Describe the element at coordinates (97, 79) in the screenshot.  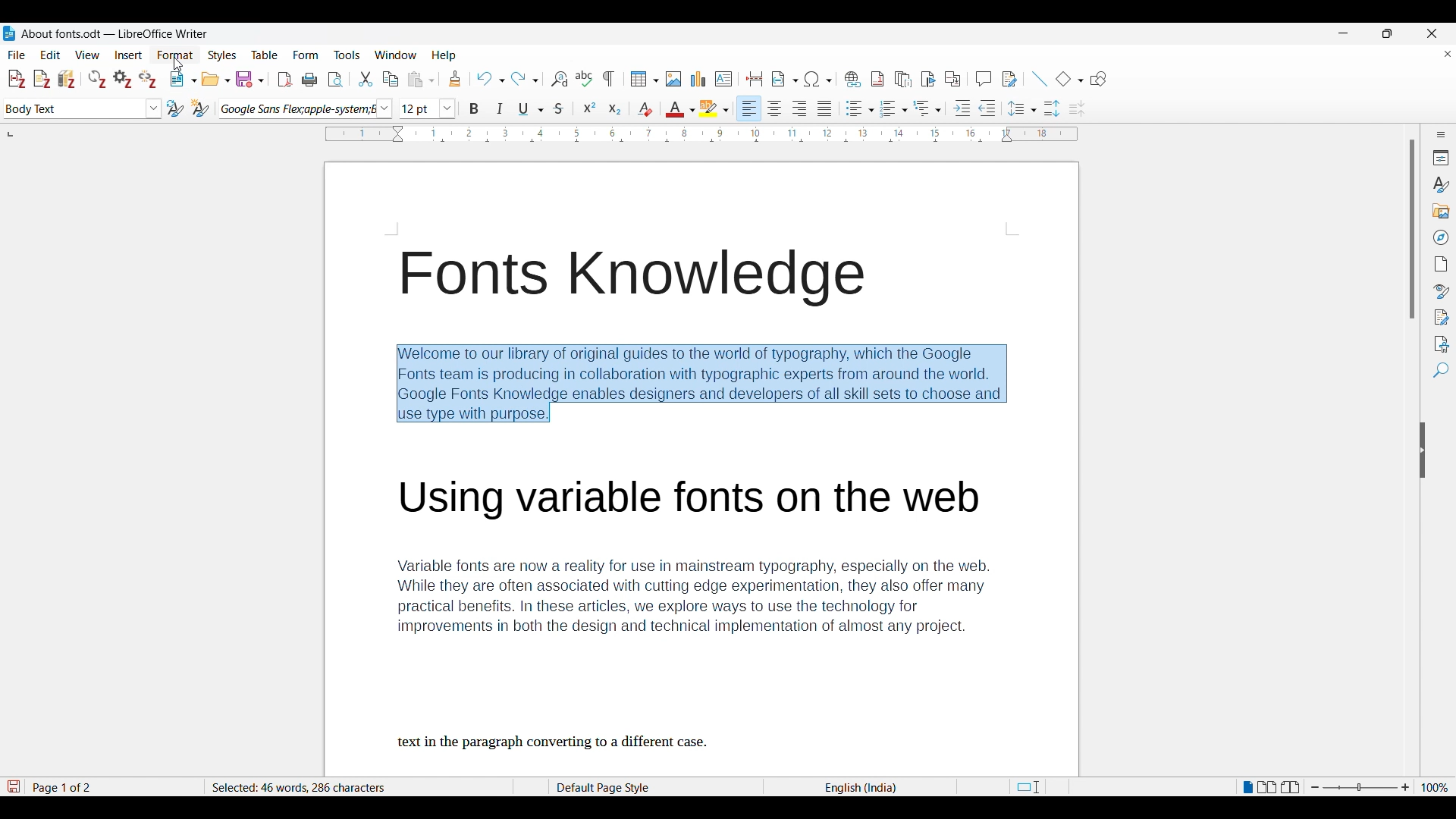
I see `Refresh ` at that location.